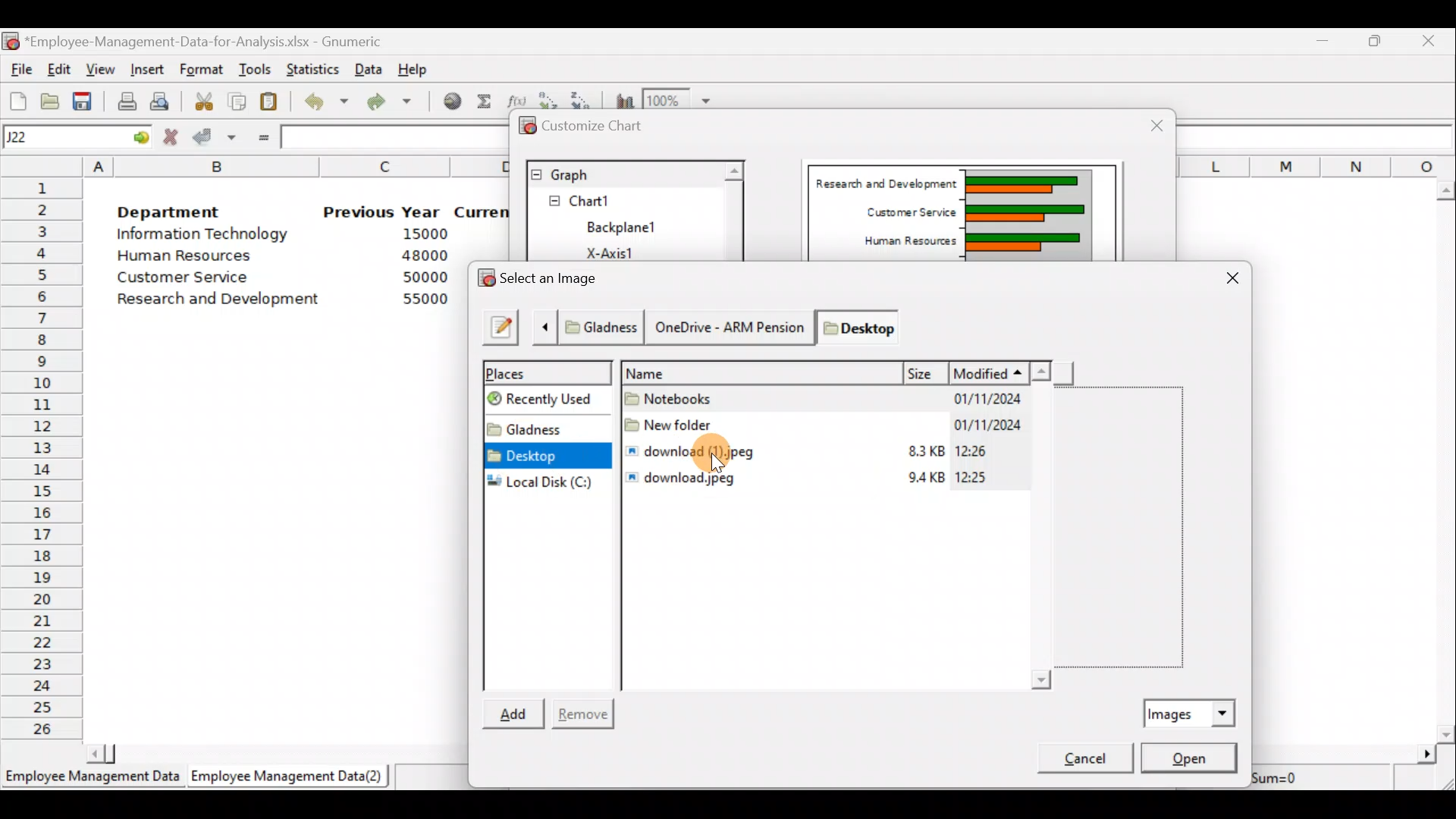 Image resolution: width=1456 pixels, height=819 pixels. Describe the element at coordinates (180, 212) in the screenshot. I see `Department` at that location.